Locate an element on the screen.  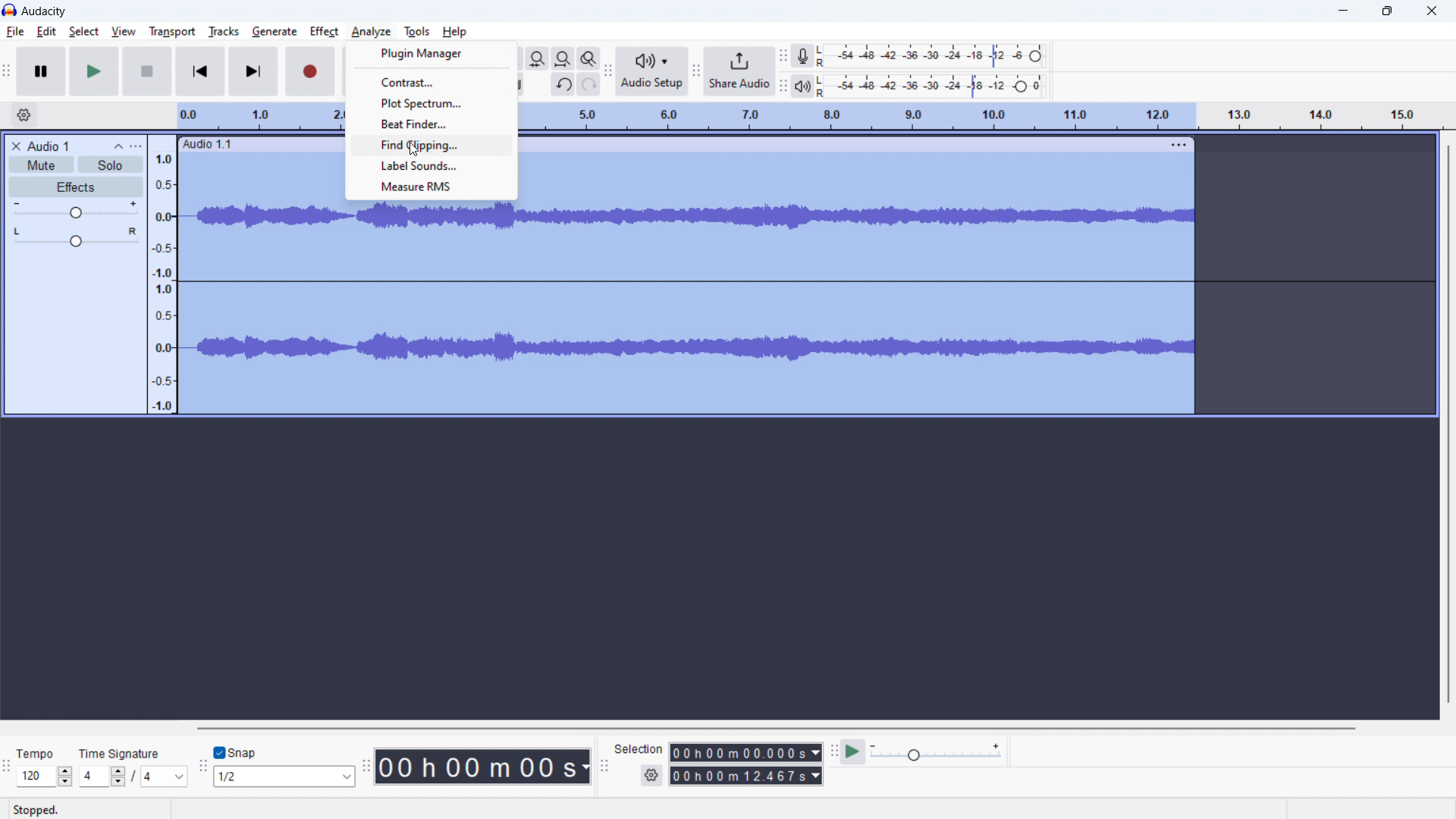
record is located at coordinates (310, 72).